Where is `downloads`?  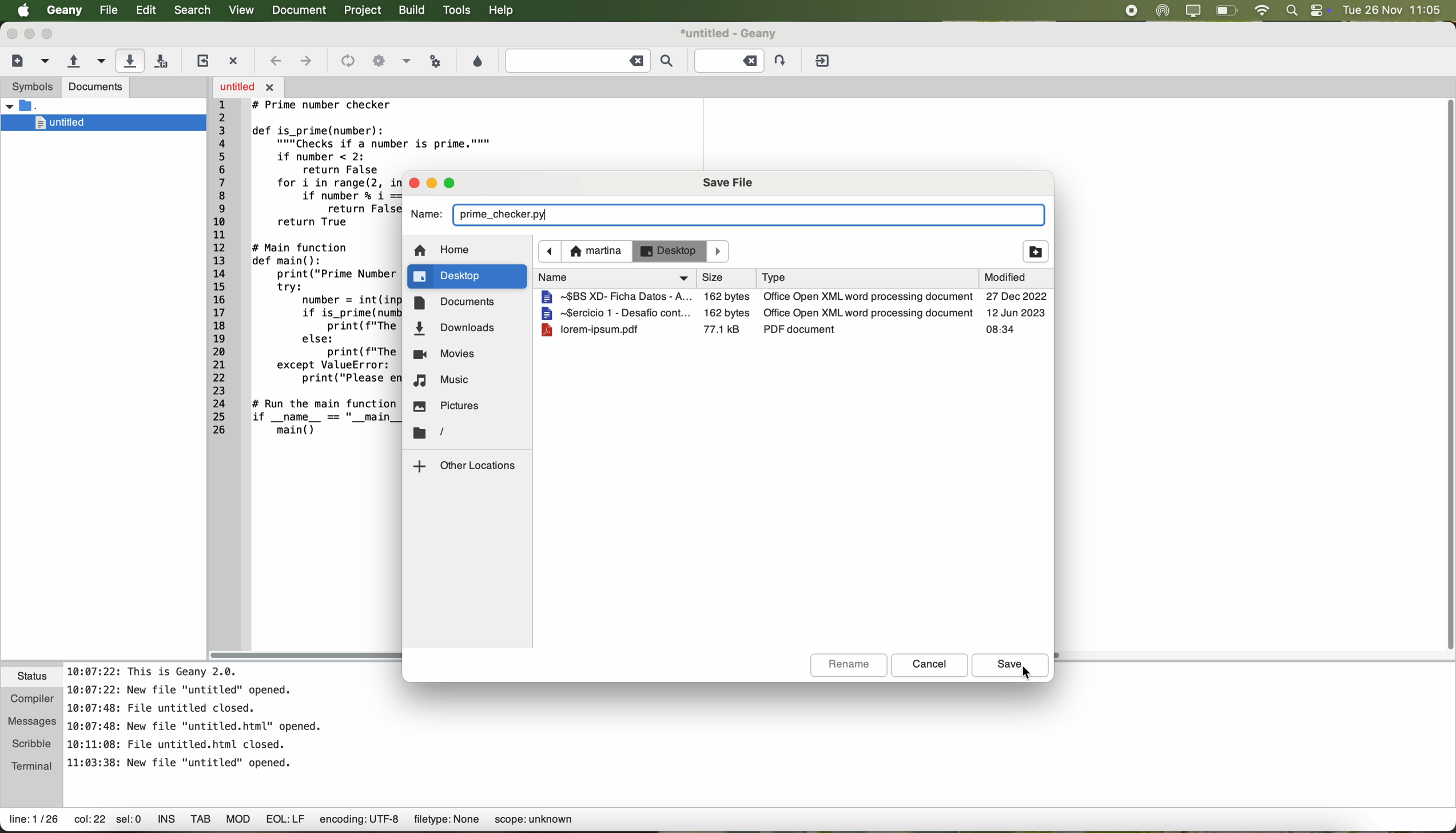 downloads is located at coordinates (454, 329).